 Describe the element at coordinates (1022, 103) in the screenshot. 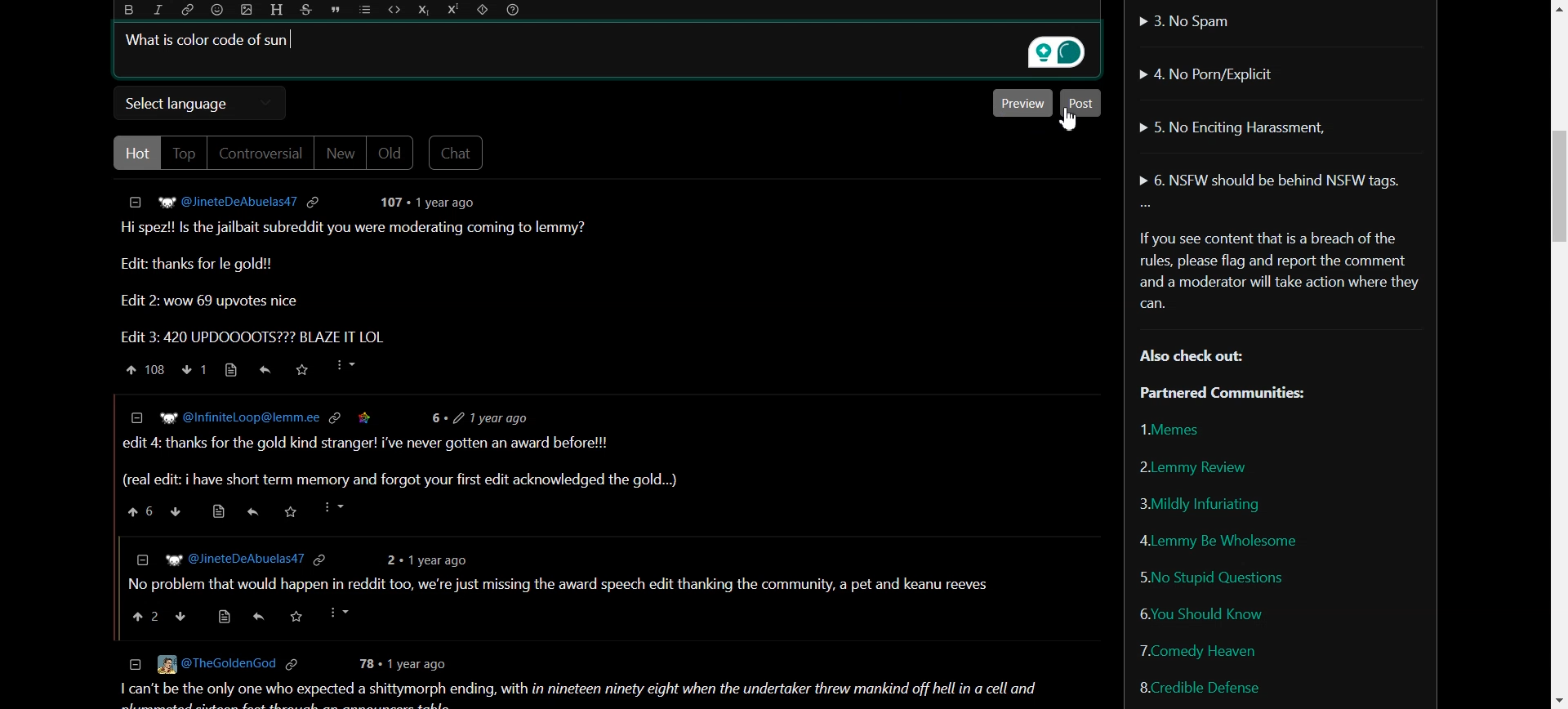

I see `Preview ` at that location.